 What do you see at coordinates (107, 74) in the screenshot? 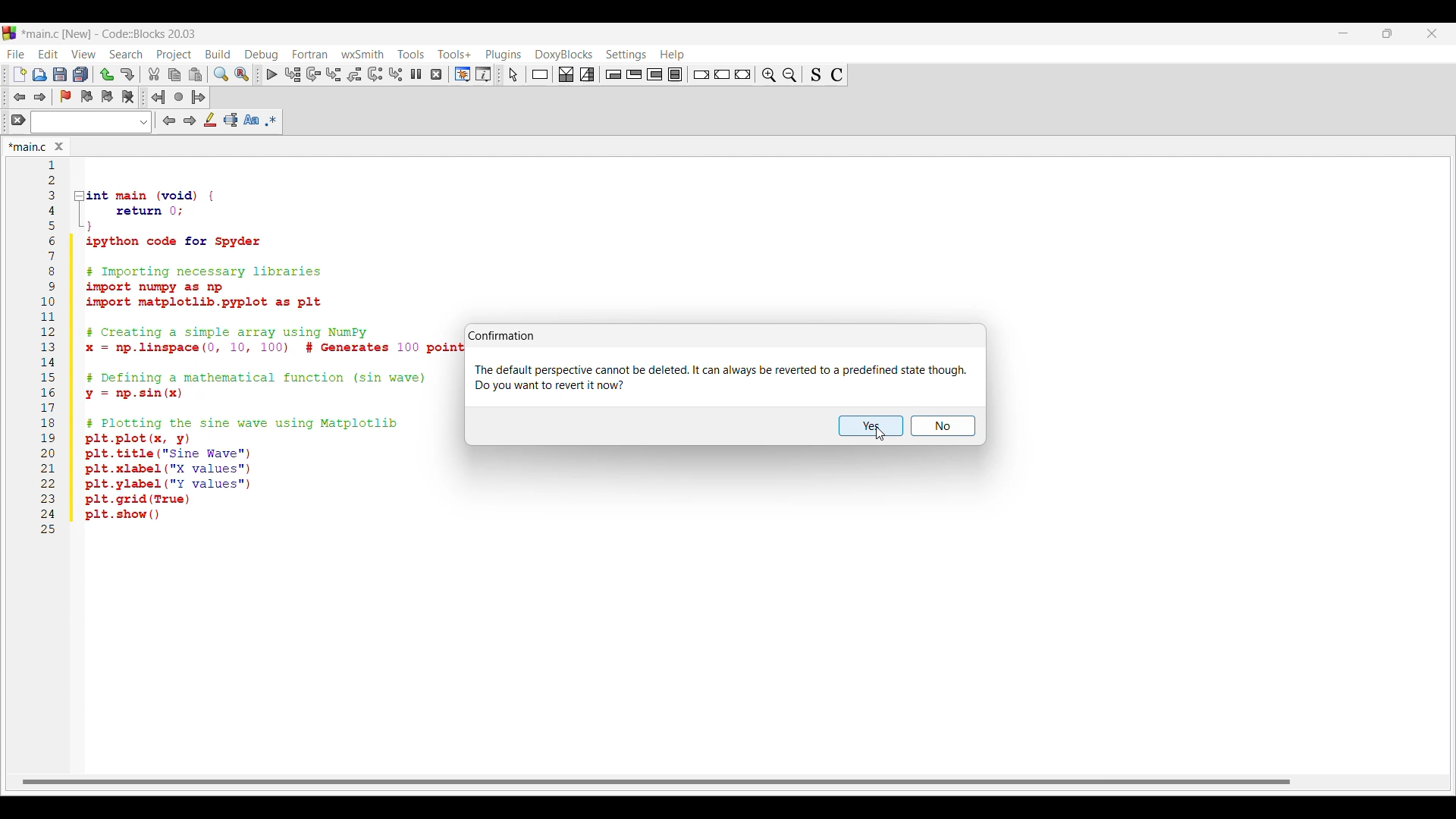
I see `Undo` at bounding box center [107, 74].